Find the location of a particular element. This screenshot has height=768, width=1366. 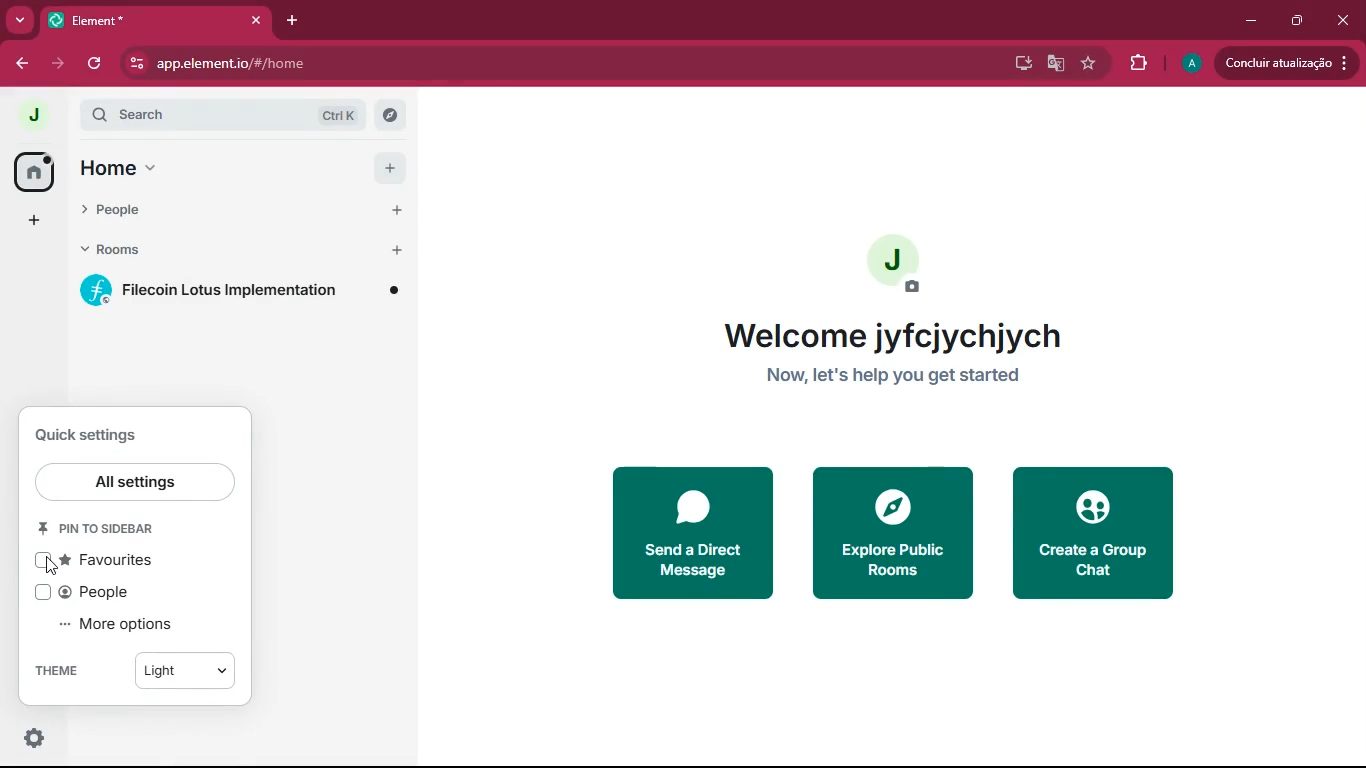

J is located at coordinates (43, 111).